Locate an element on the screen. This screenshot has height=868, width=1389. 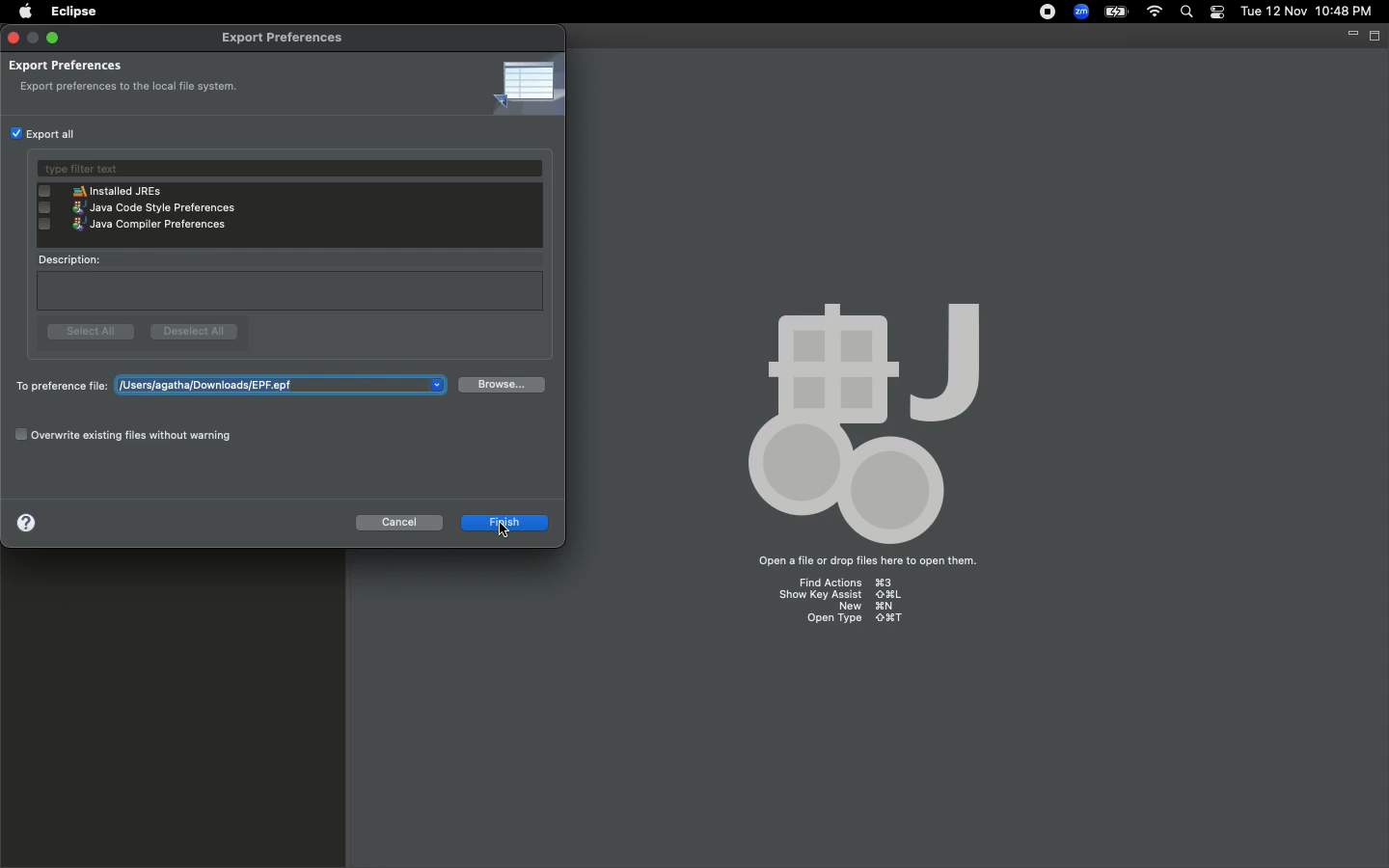
Finish is located at coordinates (504, 524).